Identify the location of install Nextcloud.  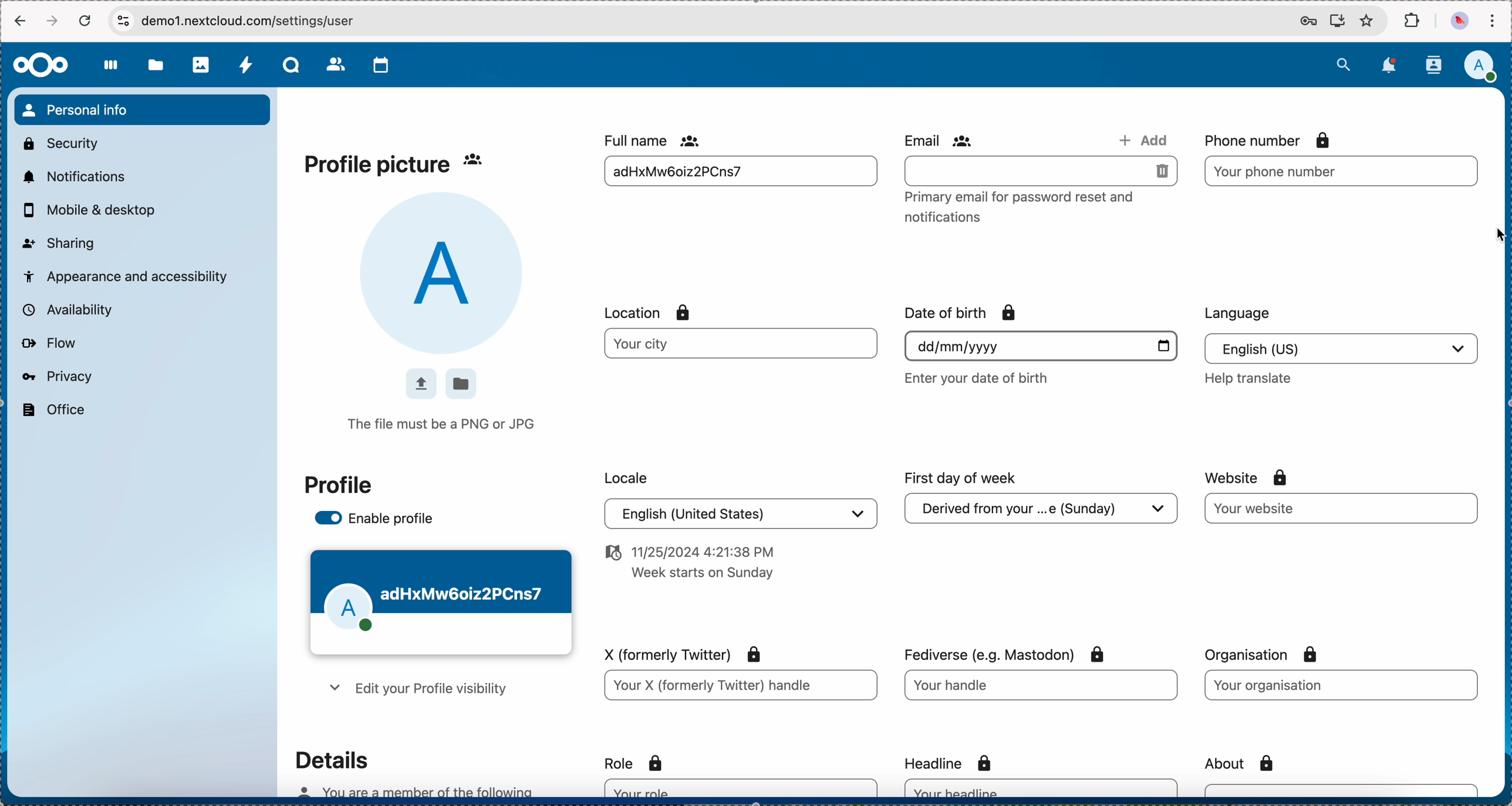
(1338, 22).